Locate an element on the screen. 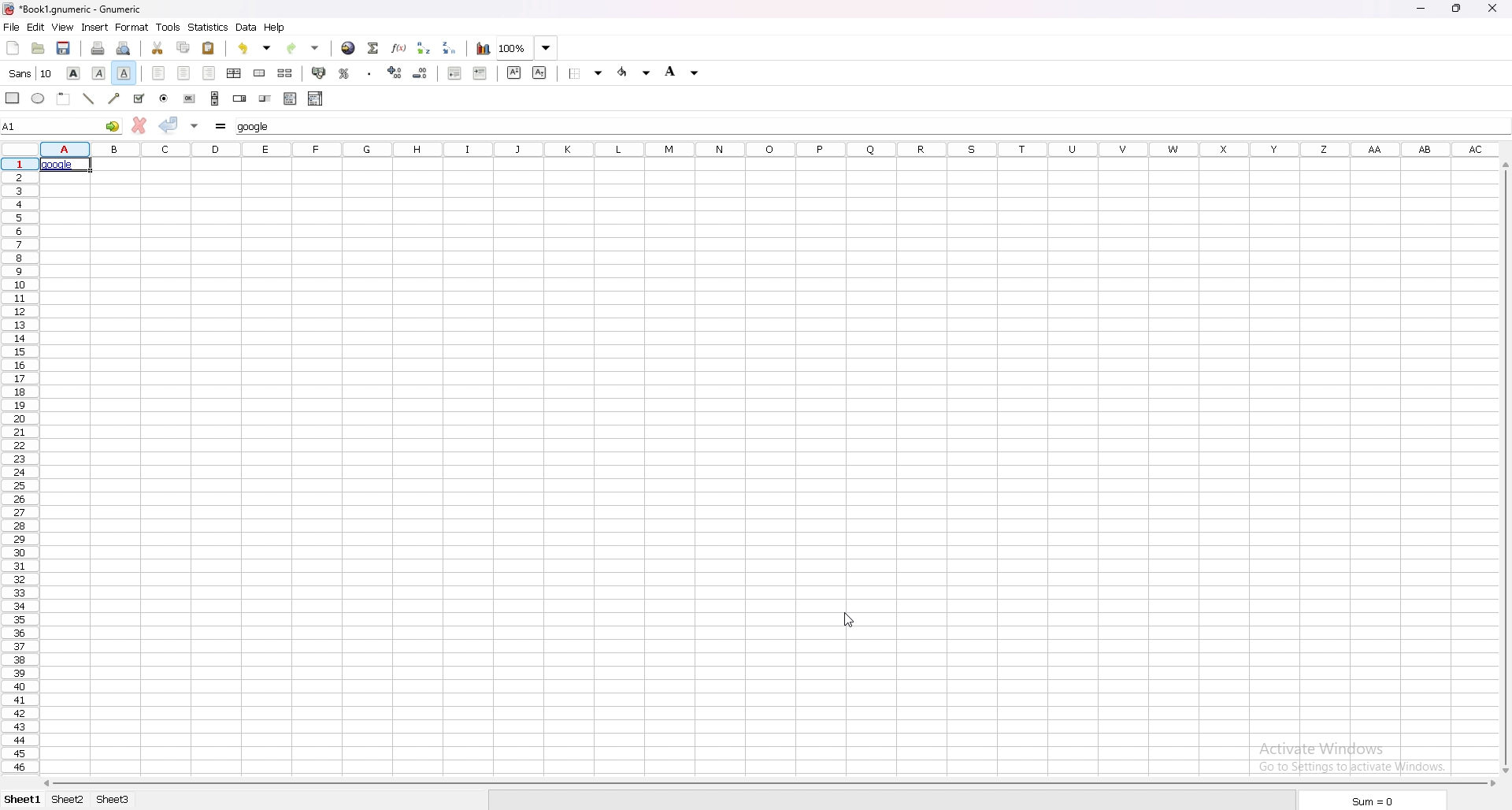 The image size is (1512, 810). summation is located at coordinates (373, 49).